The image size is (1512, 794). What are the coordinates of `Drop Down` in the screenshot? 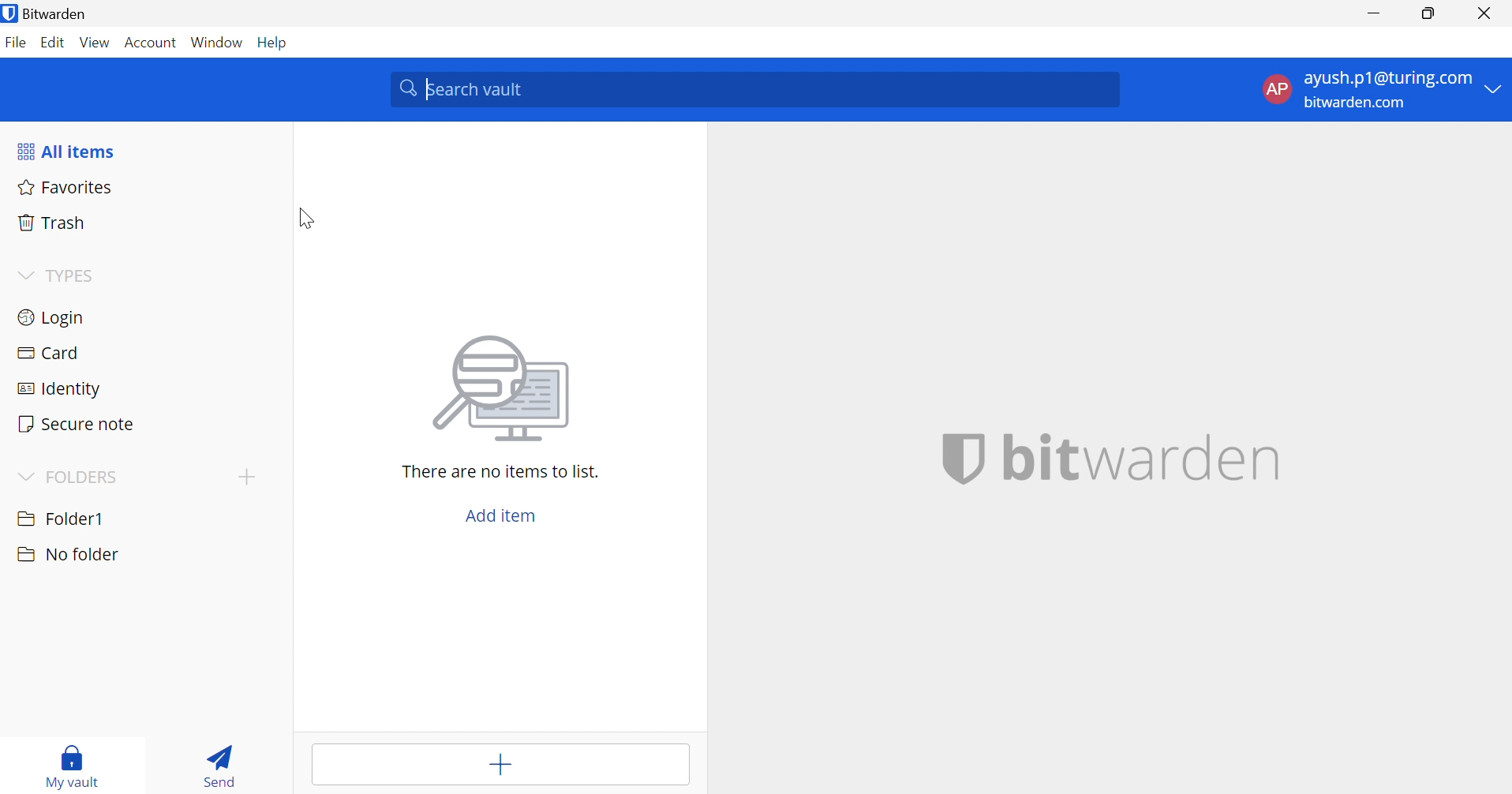 It's located at (24, 273).